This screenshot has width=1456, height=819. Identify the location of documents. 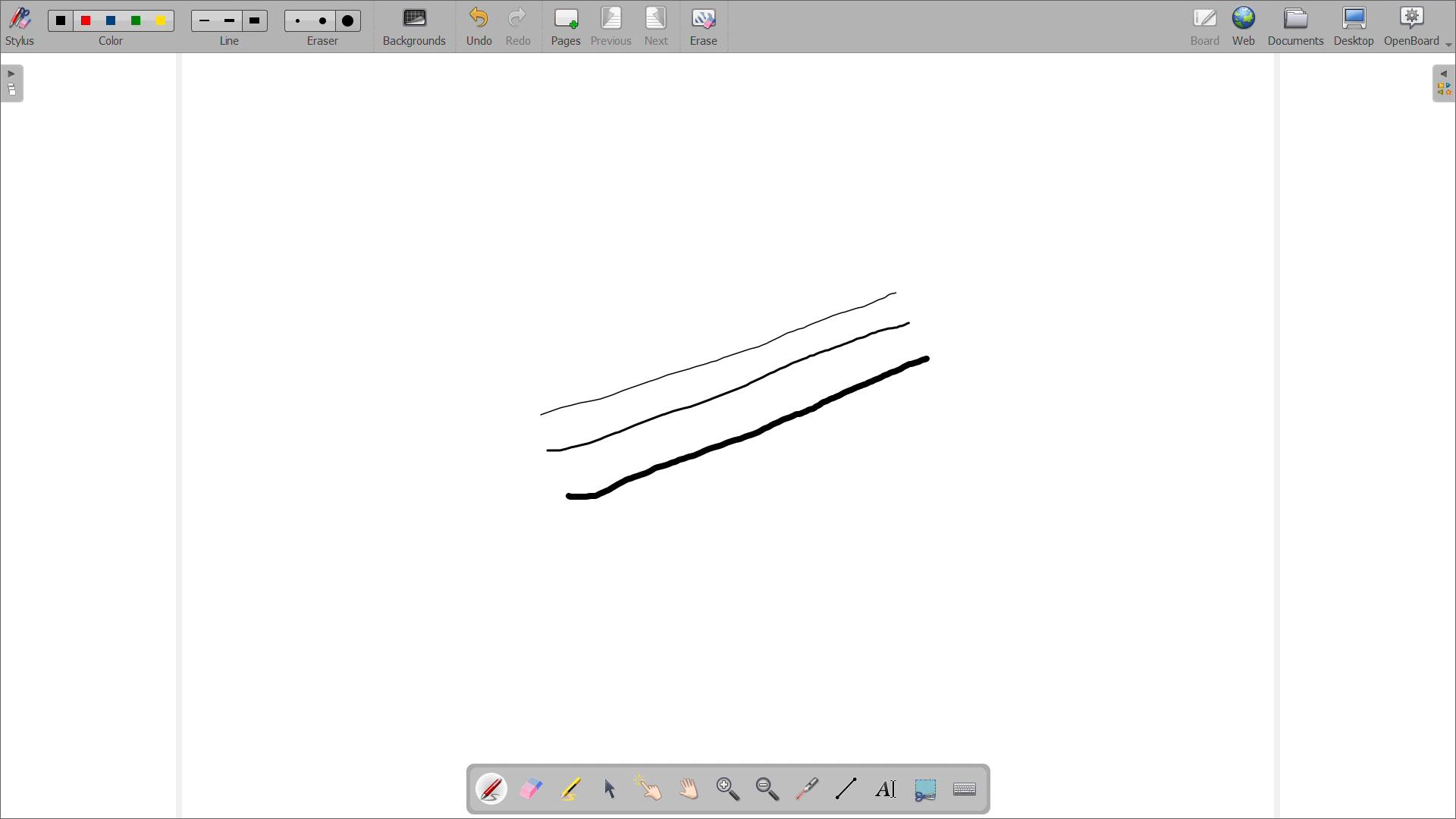
(1296, 27).